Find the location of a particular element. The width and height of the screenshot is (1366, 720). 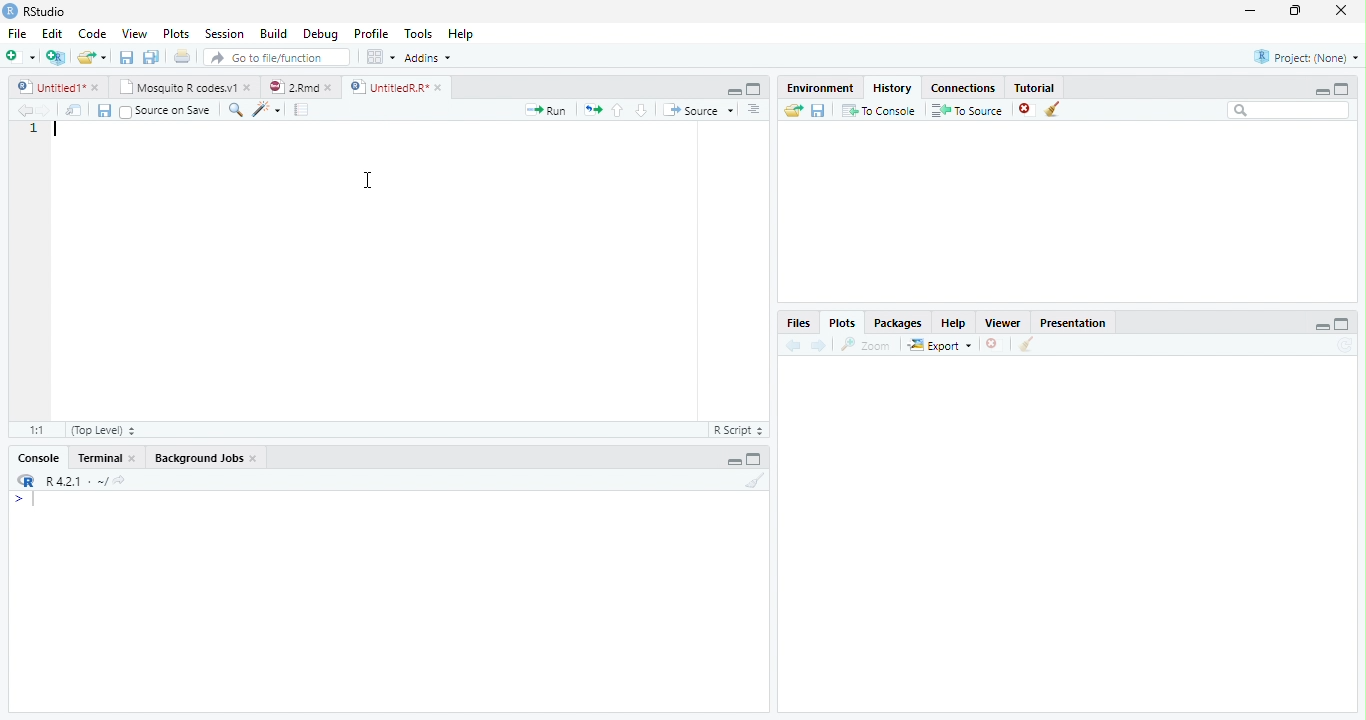

Run is located at coordinates (543, 111).